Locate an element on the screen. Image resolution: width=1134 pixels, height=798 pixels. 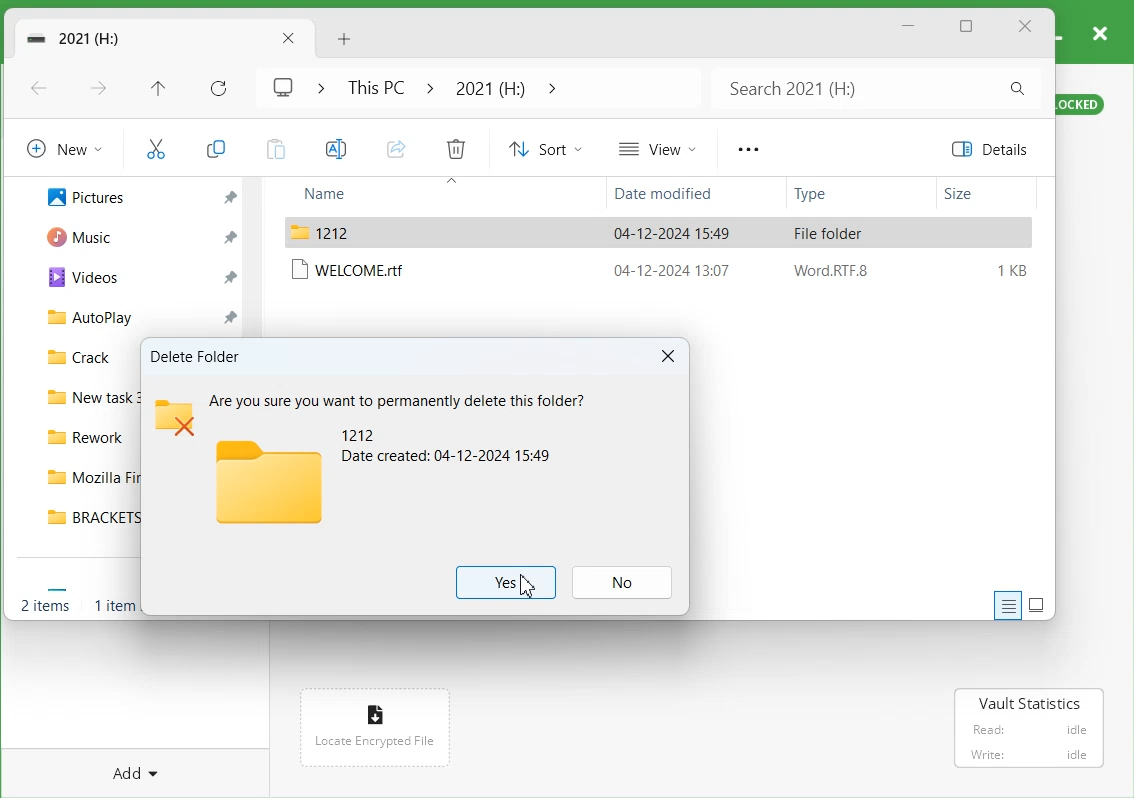
Size is located at coordinates (985, 194).